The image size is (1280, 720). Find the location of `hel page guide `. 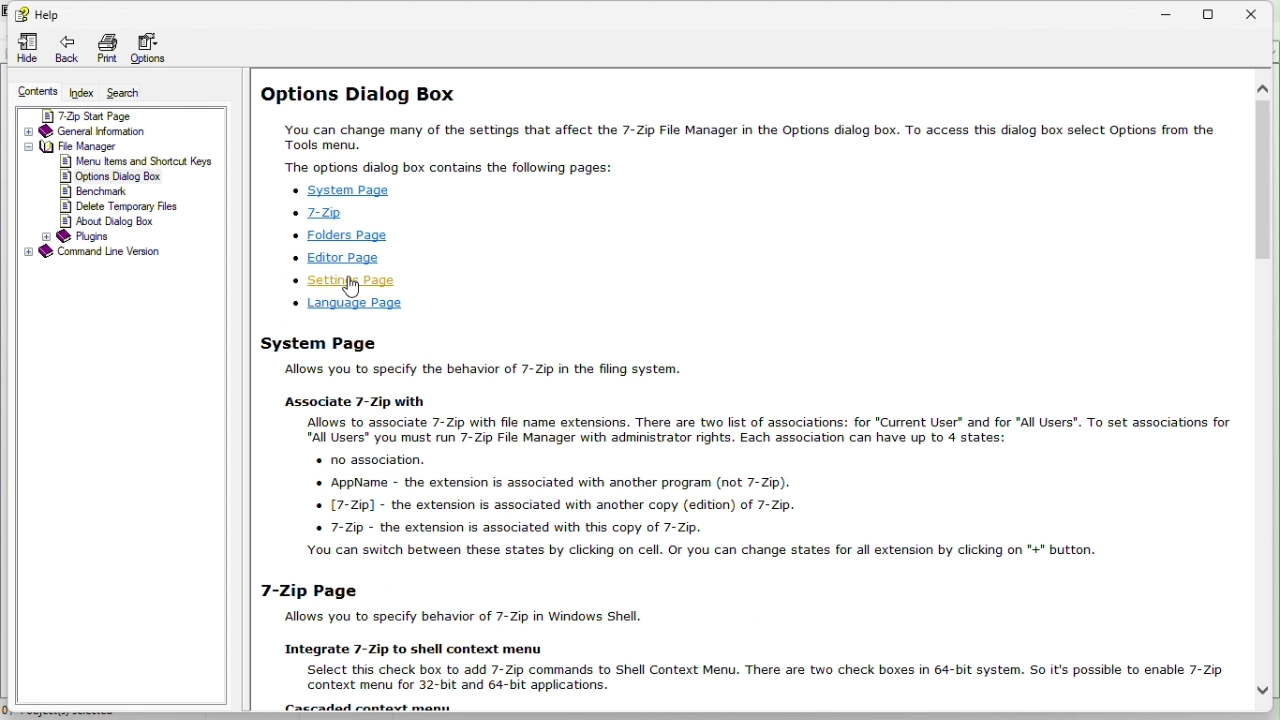

hel page guide  is located at coordinates (761, 521).